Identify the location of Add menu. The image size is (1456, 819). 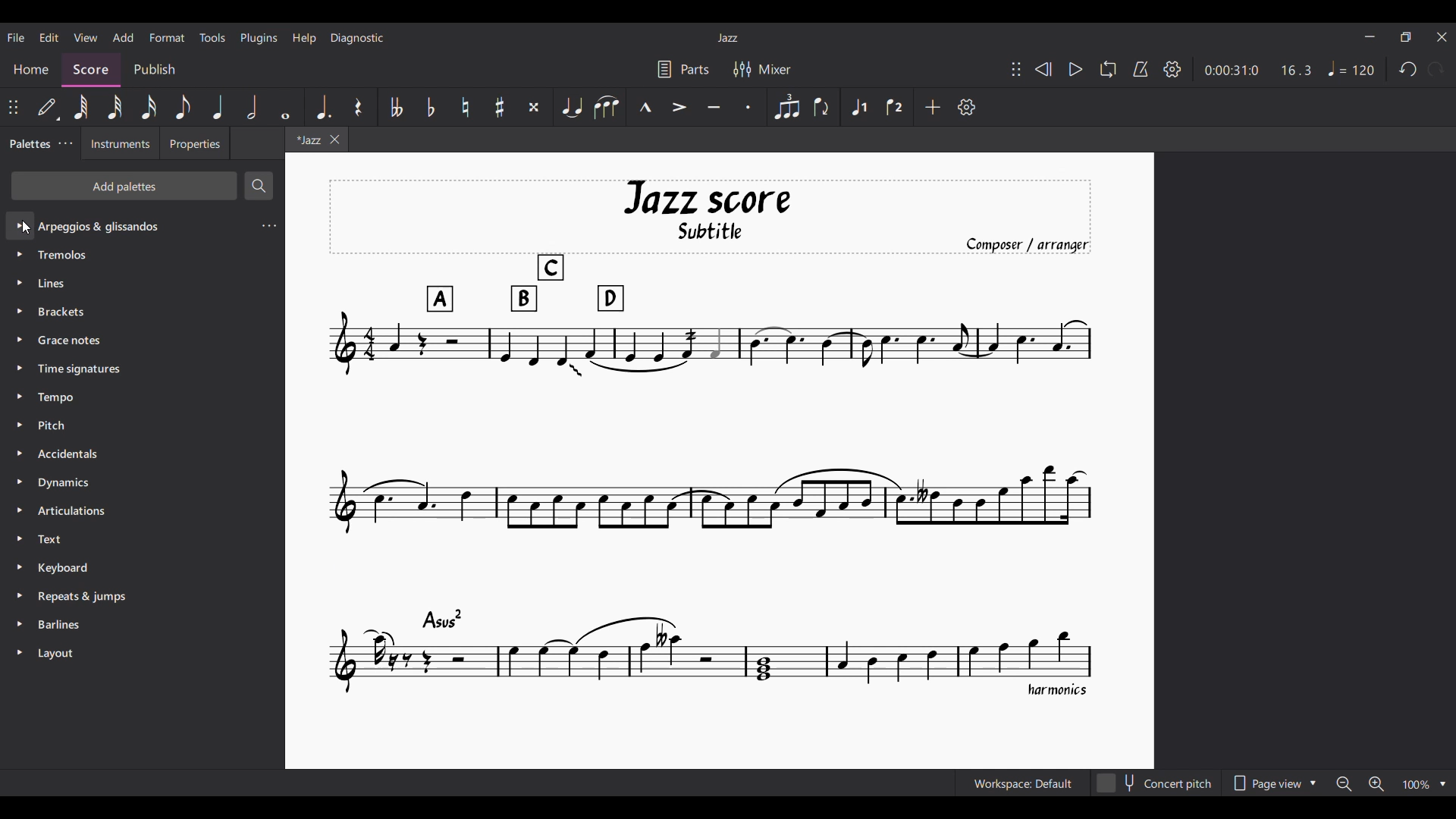
(124, 38).